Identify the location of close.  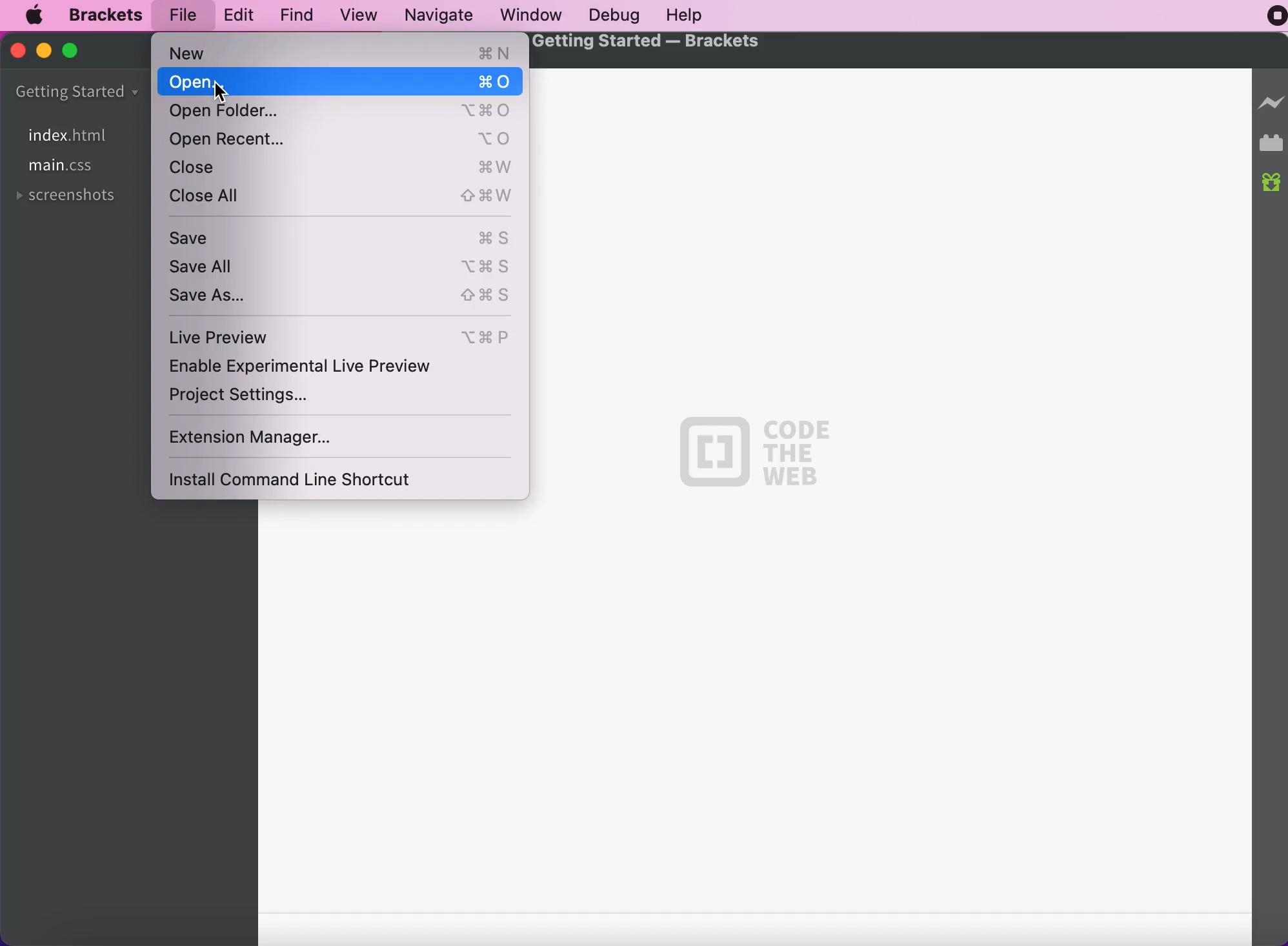
(17, 53).